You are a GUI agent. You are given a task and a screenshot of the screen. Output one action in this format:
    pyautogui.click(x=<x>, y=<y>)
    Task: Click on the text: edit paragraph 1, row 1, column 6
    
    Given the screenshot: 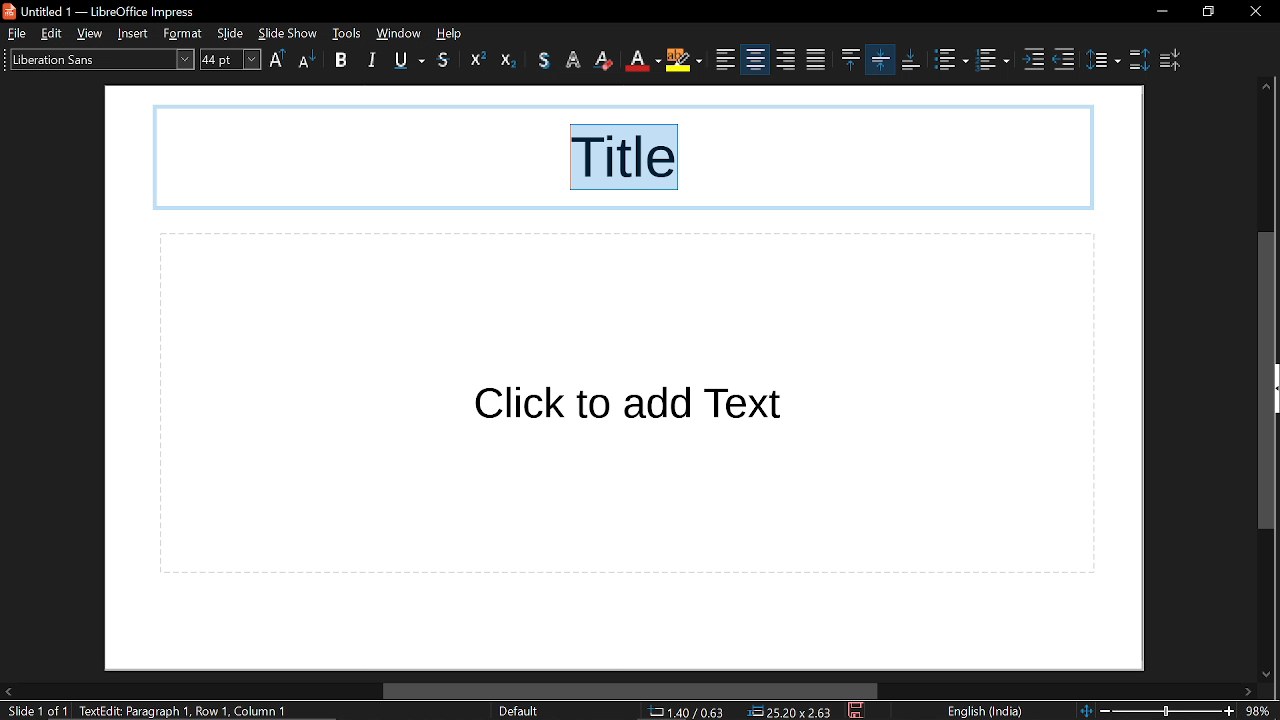 What is the action you would take?
    pyautogui.click(x=191, y=711)
    